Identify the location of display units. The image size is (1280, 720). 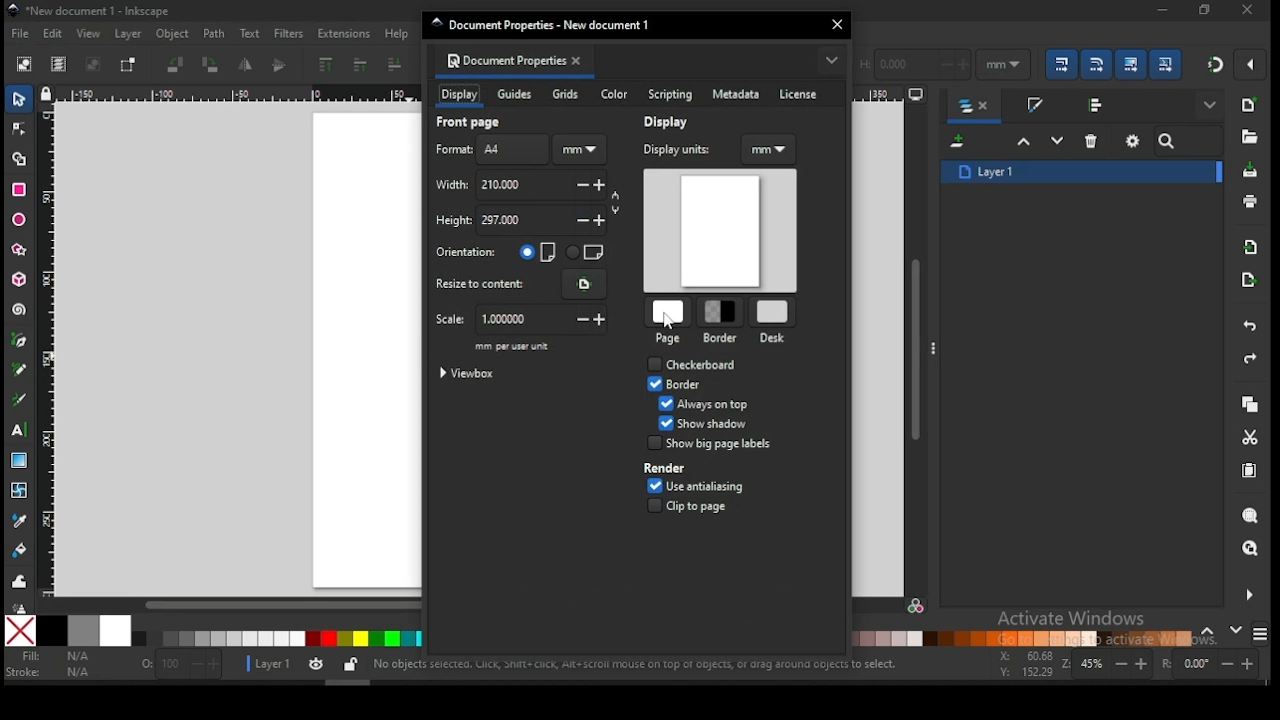
(719, 151).